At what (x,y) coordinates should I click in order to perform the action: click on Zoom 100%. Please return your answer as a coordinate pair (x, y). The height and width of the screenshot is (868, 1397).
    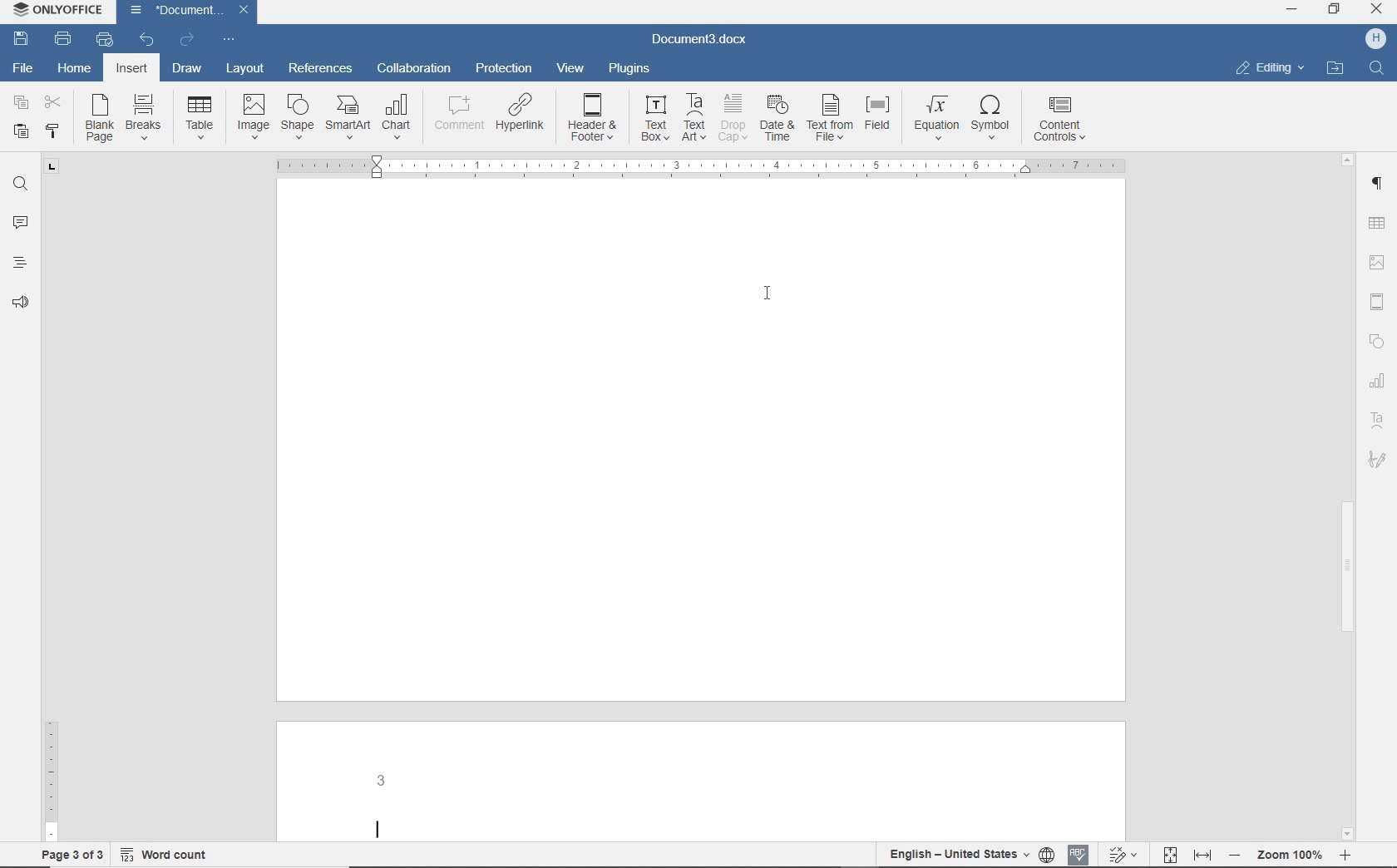
    Looking at the image, I should click on (1289, 855).